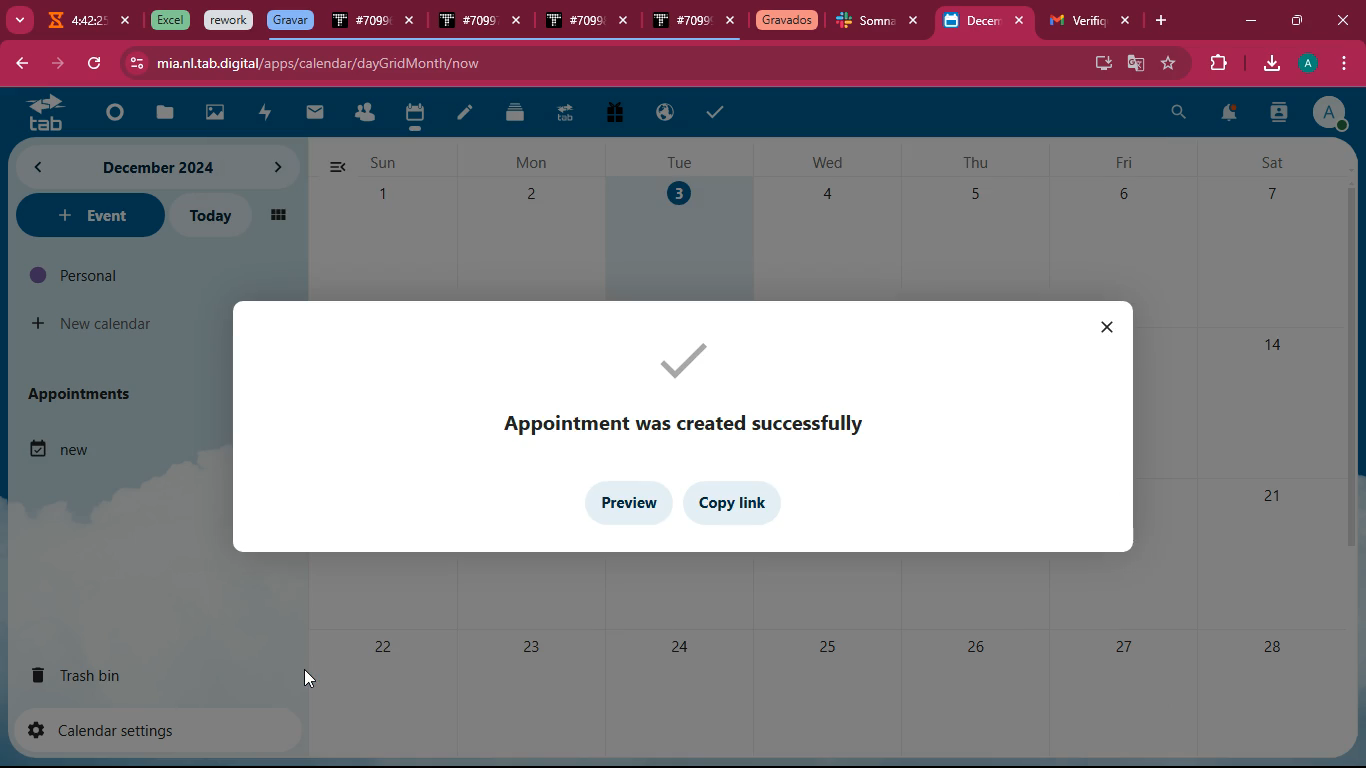 The image size is (1366, 768). Describe the element at coordinates (738, 504) in the screenshot. I see `copy link` at that location.